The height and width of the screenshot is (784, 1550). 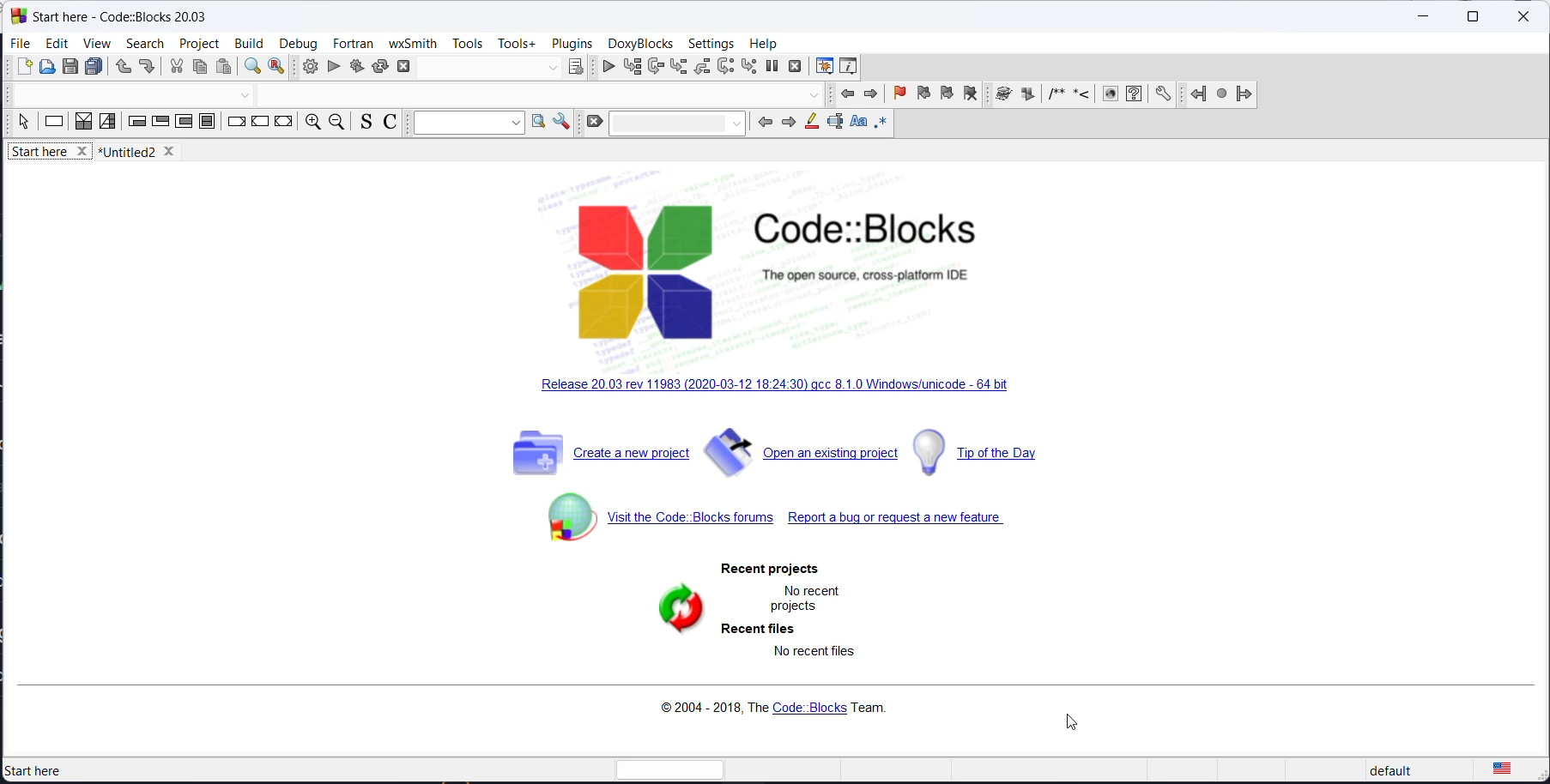 I want to click on recent projects, so click(x=773, y=569).